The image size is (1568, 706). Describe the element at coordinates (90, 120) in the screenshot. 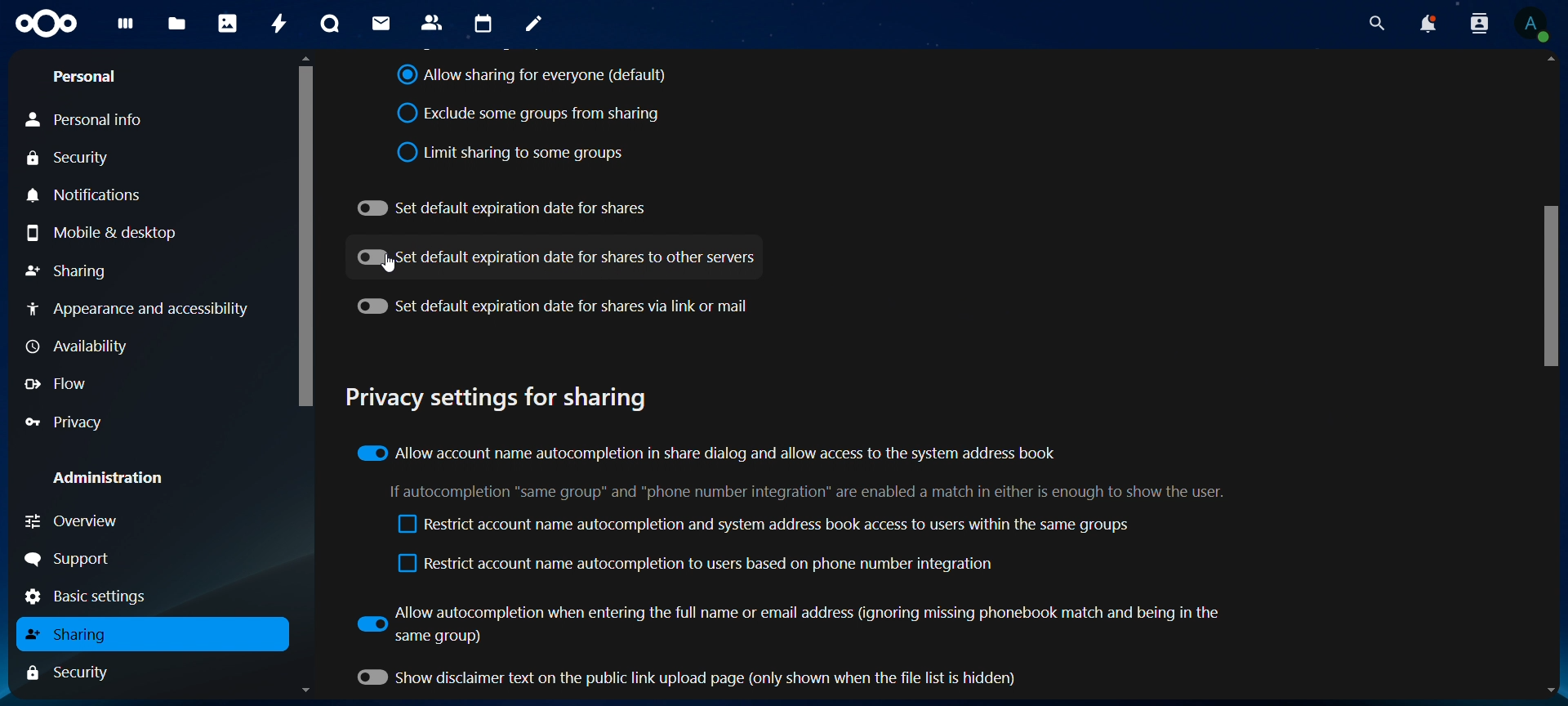

I see `personal info` at that location.